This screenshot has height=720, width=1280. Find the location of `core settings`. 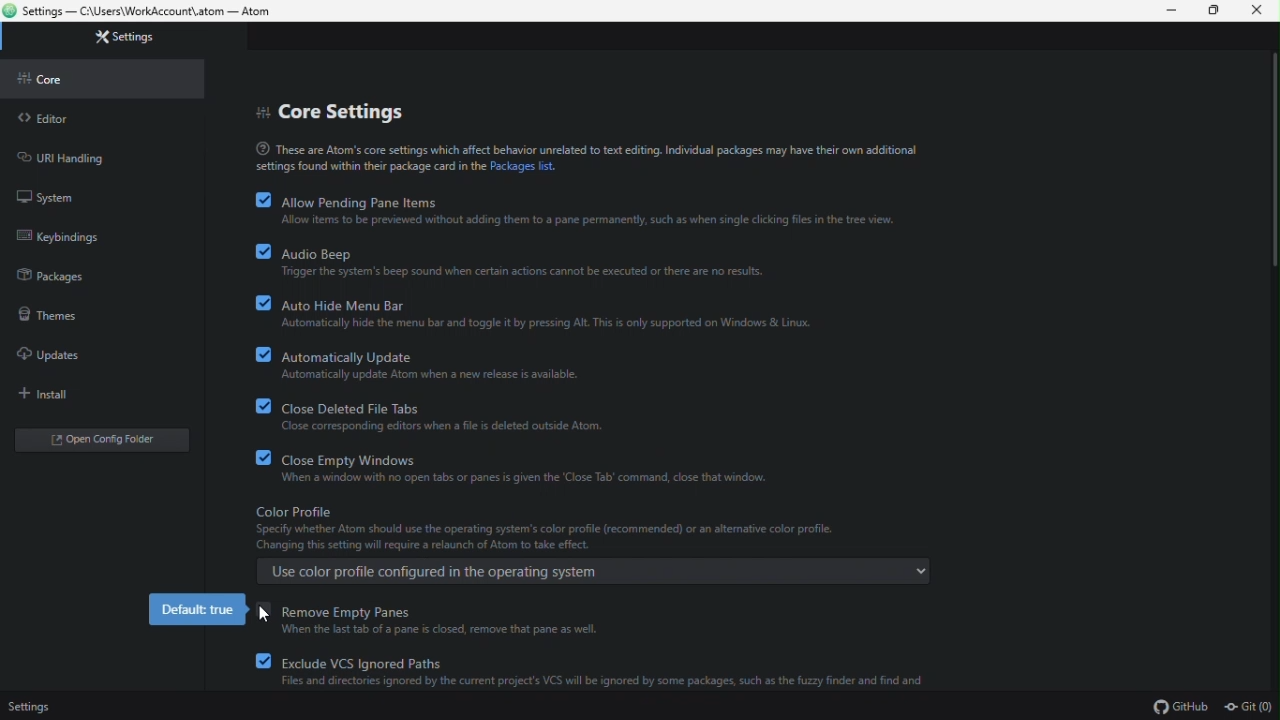

core settings is located at coordinates (336, 109).